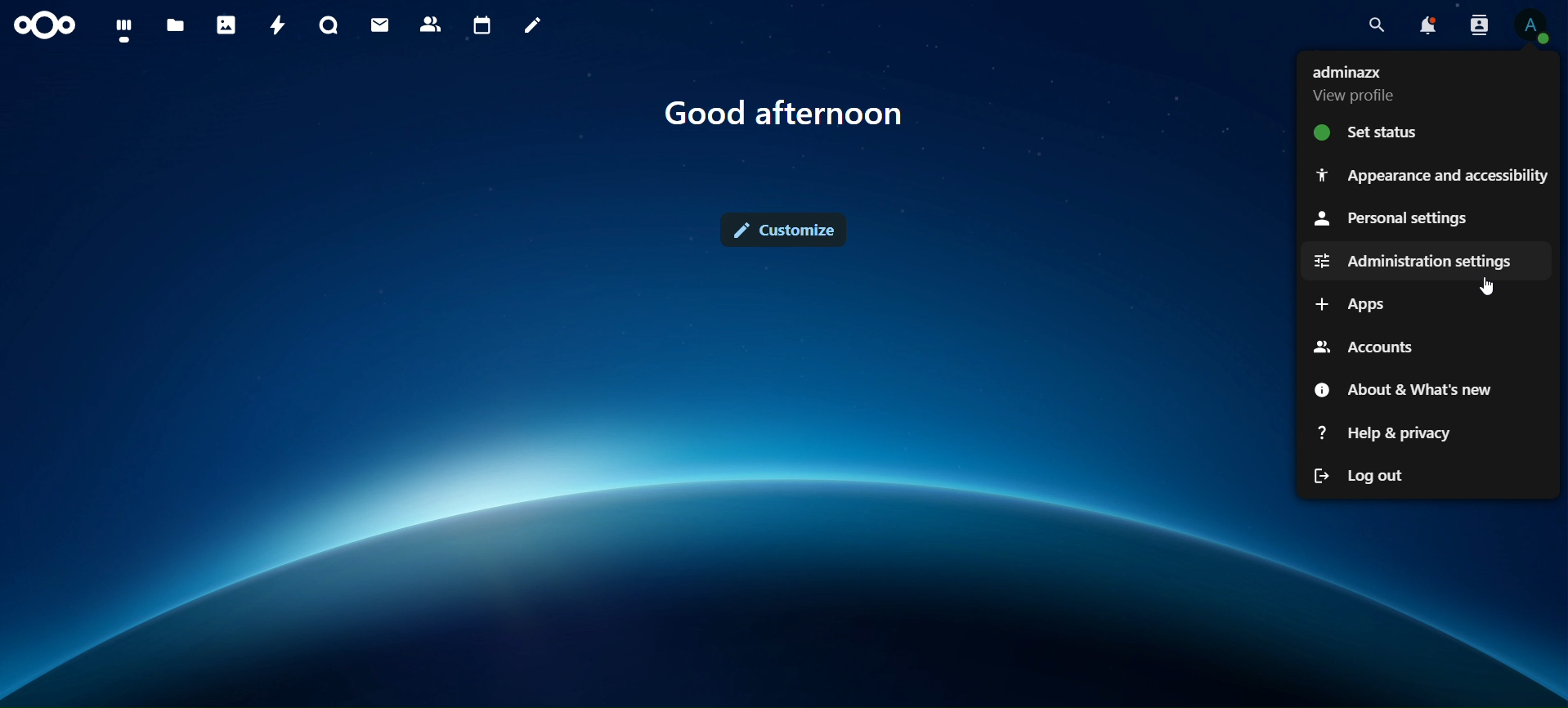 The height and width of the screenshot is (708, 1568). Describe the element at coordinates (1429, 173) in the screenshot. I see `appearance and accesibility` at that location.